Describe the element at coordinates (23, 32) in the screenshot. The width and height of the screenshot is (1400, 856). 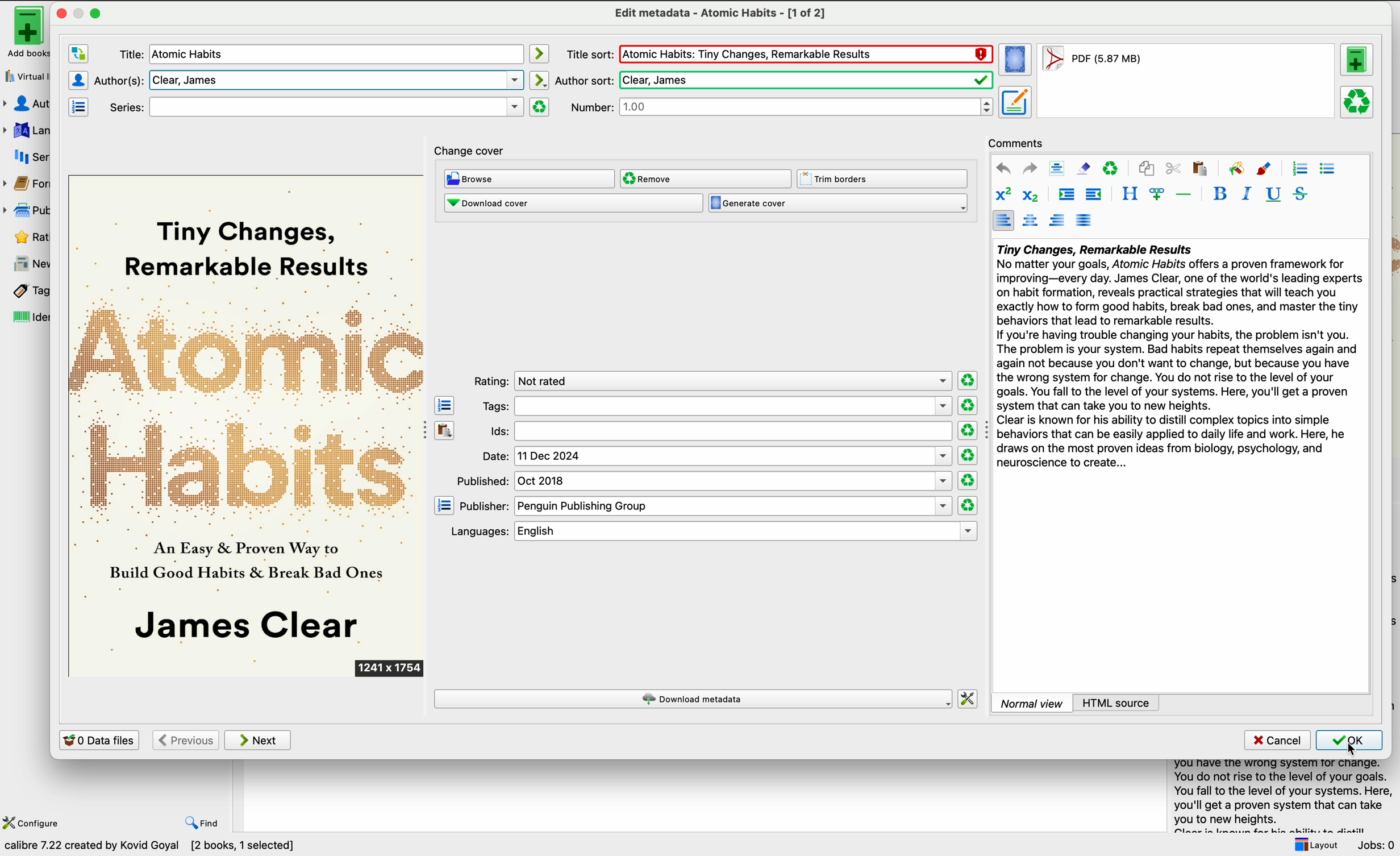
I see `add books` at that location.